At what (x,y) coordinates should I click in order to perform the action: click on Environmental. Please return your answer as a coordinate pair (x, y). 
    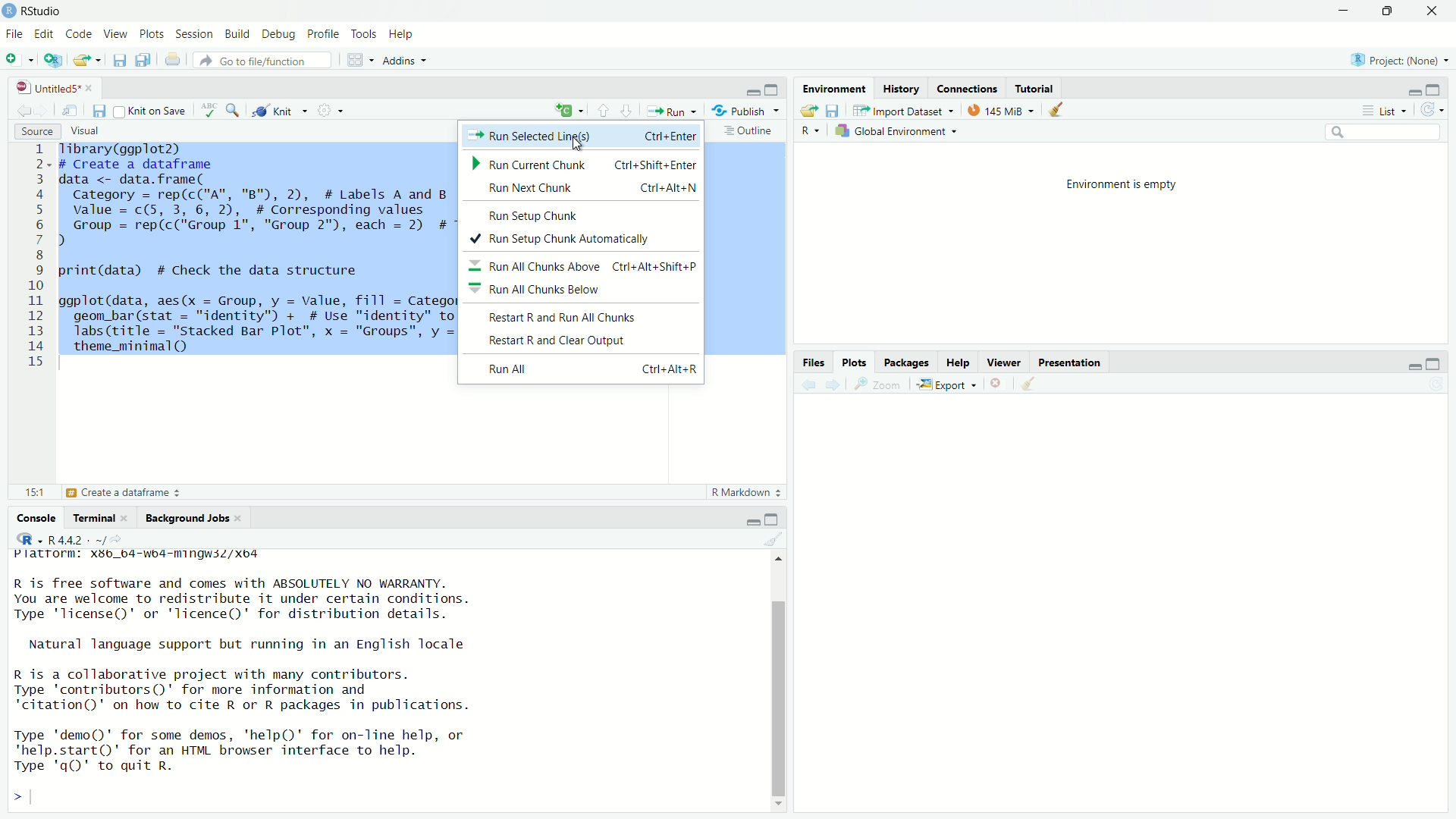
    Looking at the image, I should click on (834, 87).